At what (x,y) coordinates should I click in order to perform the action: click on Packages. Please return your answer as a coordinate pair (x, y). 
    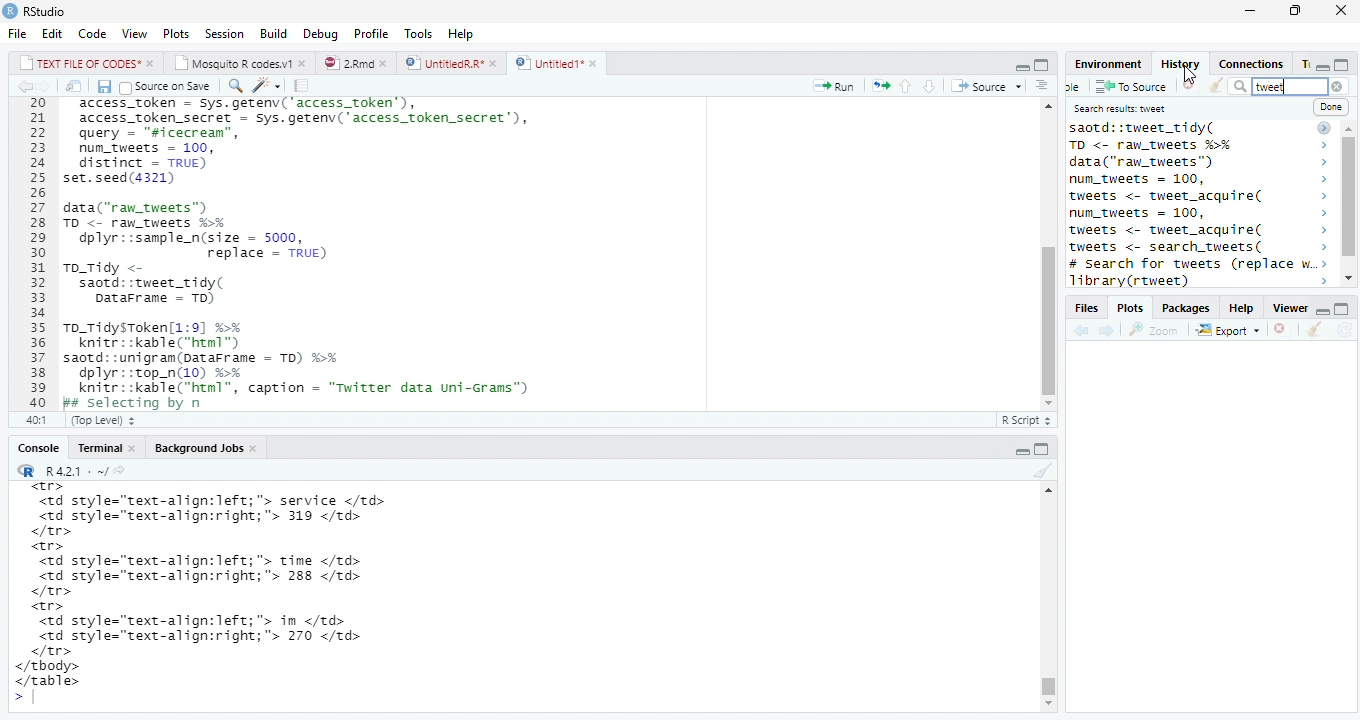
    Looking at the image, I should click on (1183, 308).